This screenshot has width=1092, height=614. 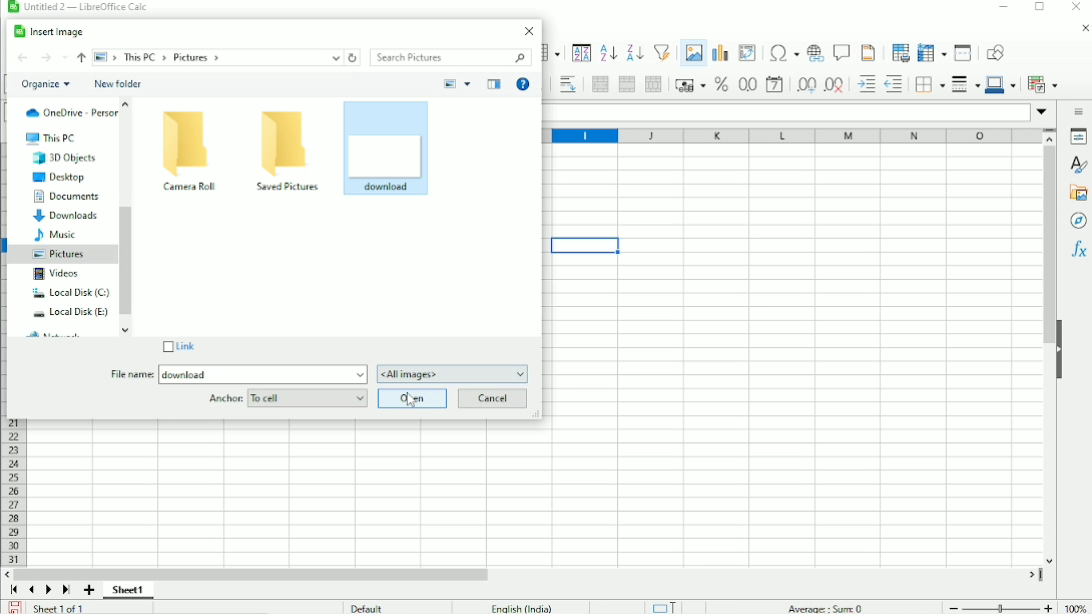 I want to click on Properties, so click(x=1078, y=139).